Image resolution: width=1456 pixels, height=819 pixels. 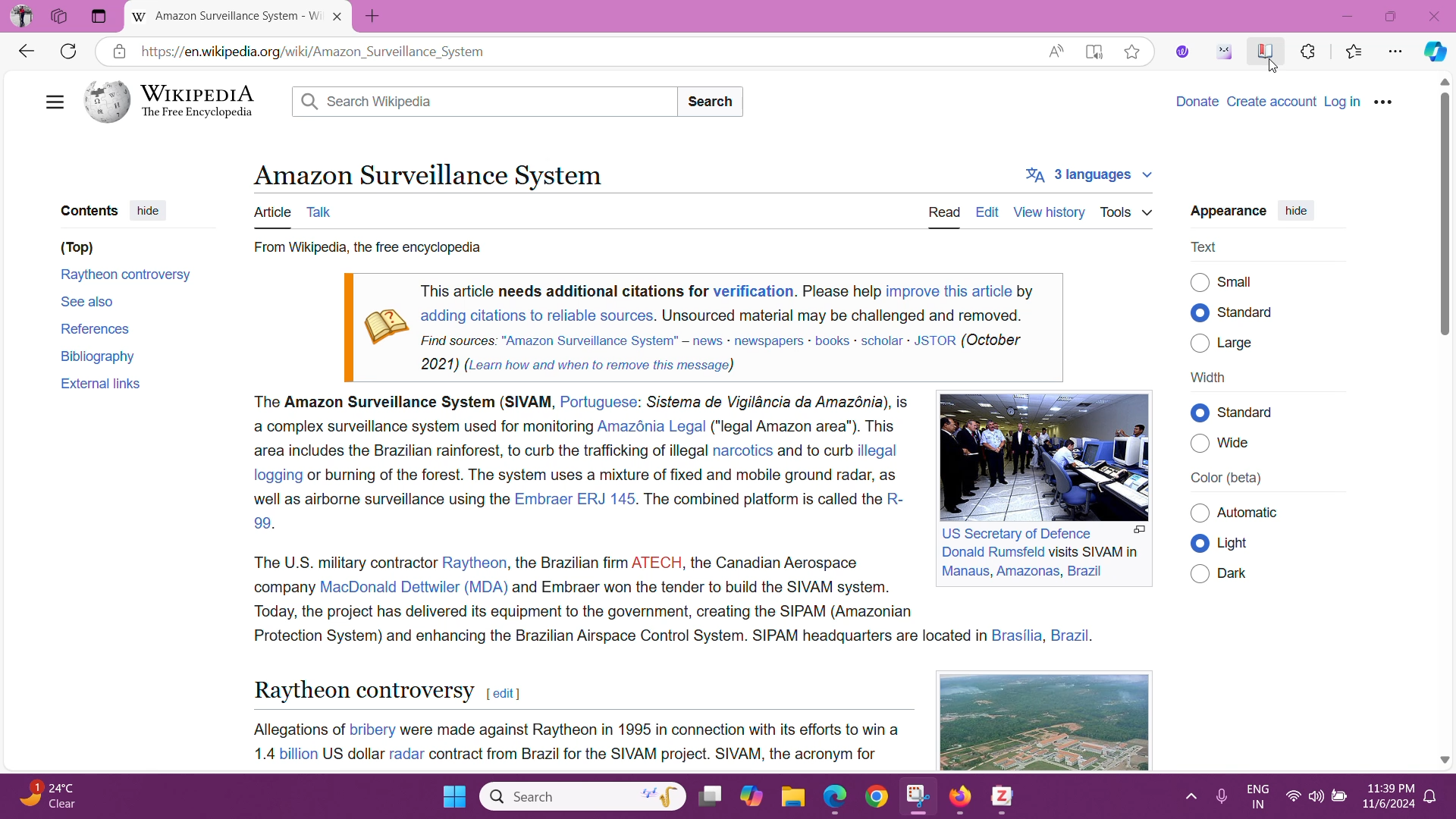 What do you see at coordinates (271, 213) in the screenshot?
I see `Article` at bounding box center [271, 213].